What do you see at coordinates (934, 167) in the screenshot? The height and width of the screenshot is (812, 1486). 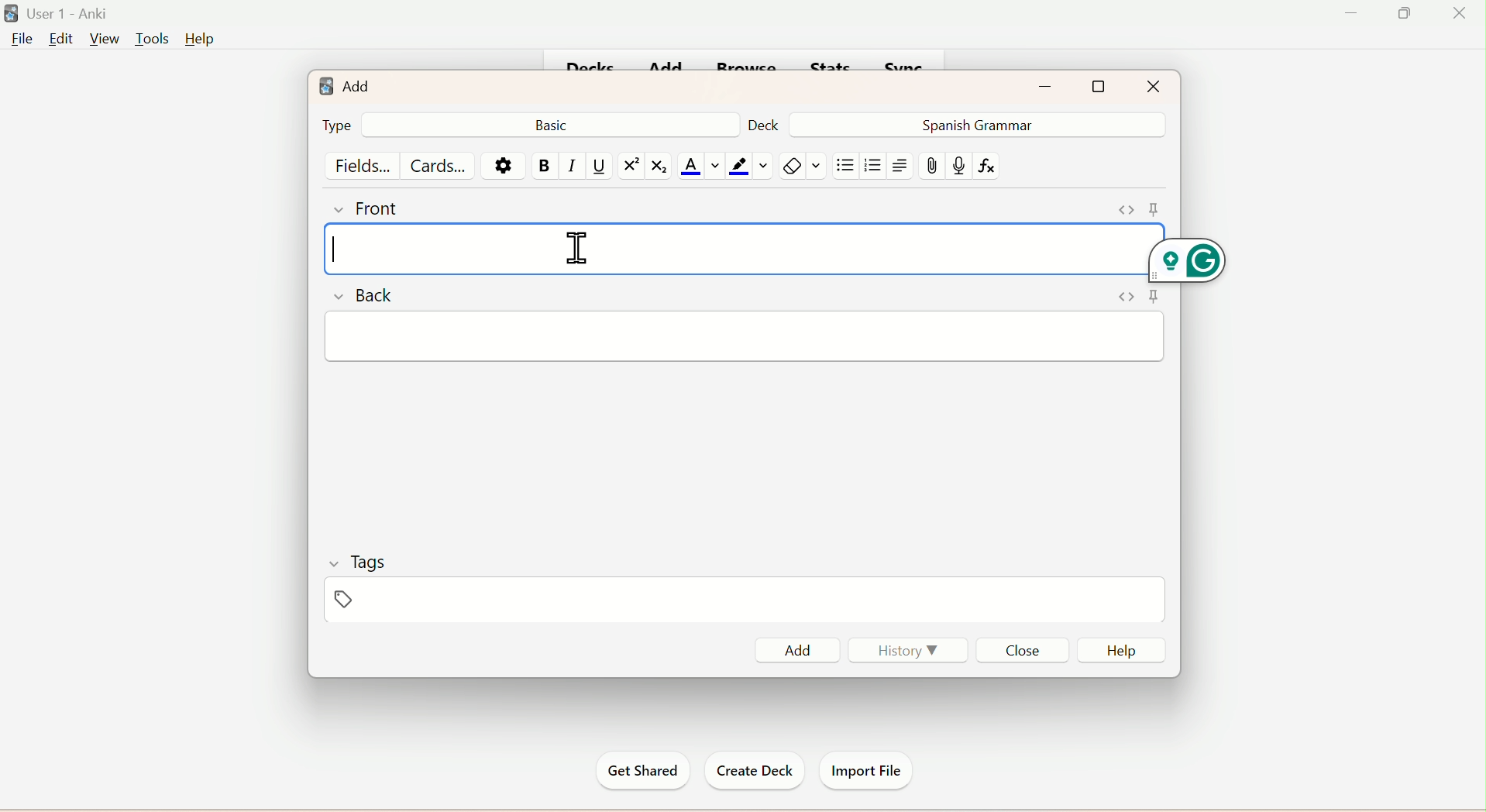 I see `Attach` at bounding box center [934, 167].